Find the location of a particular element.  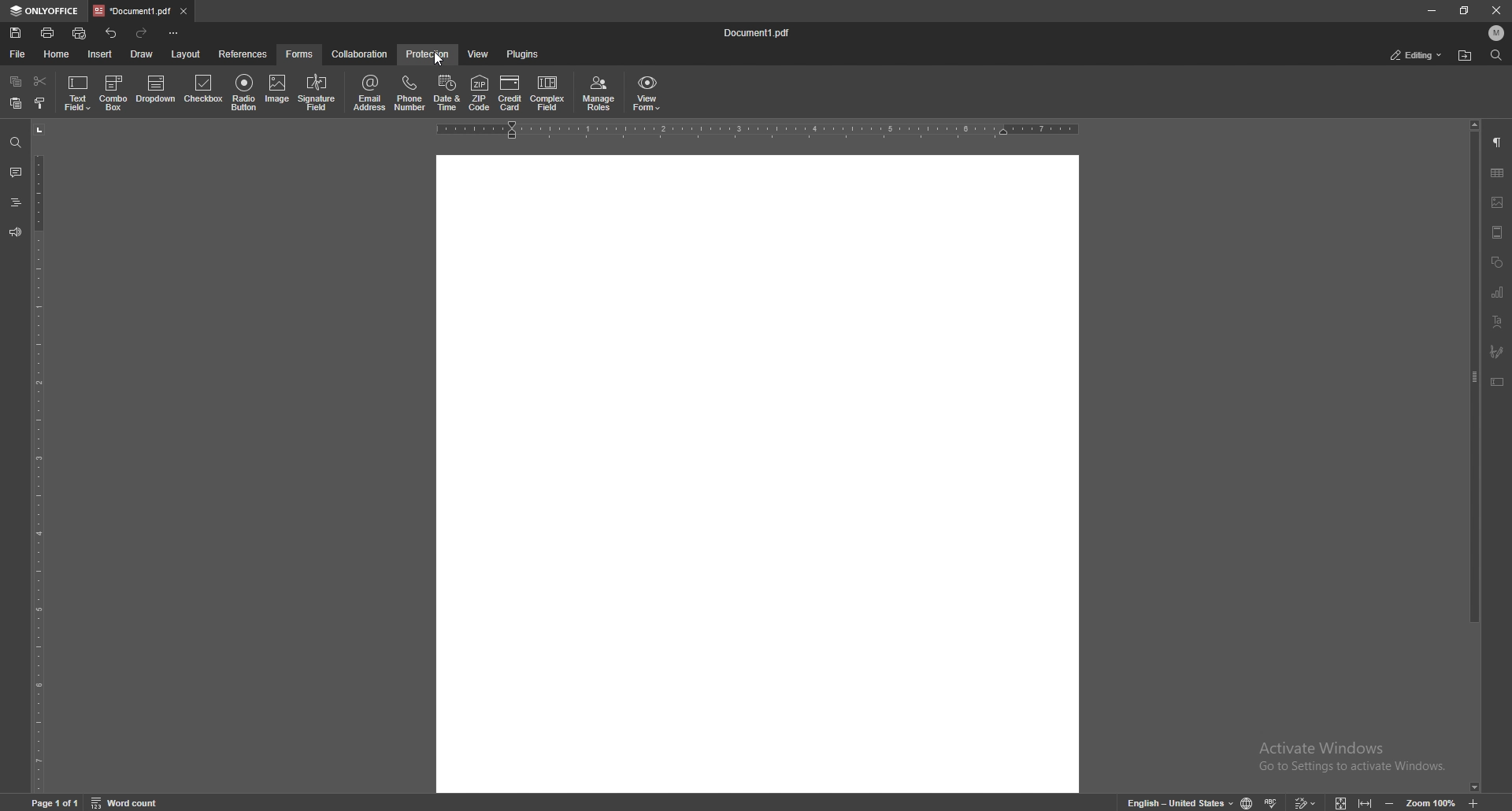

zip code is located at coordinates (480, 94).